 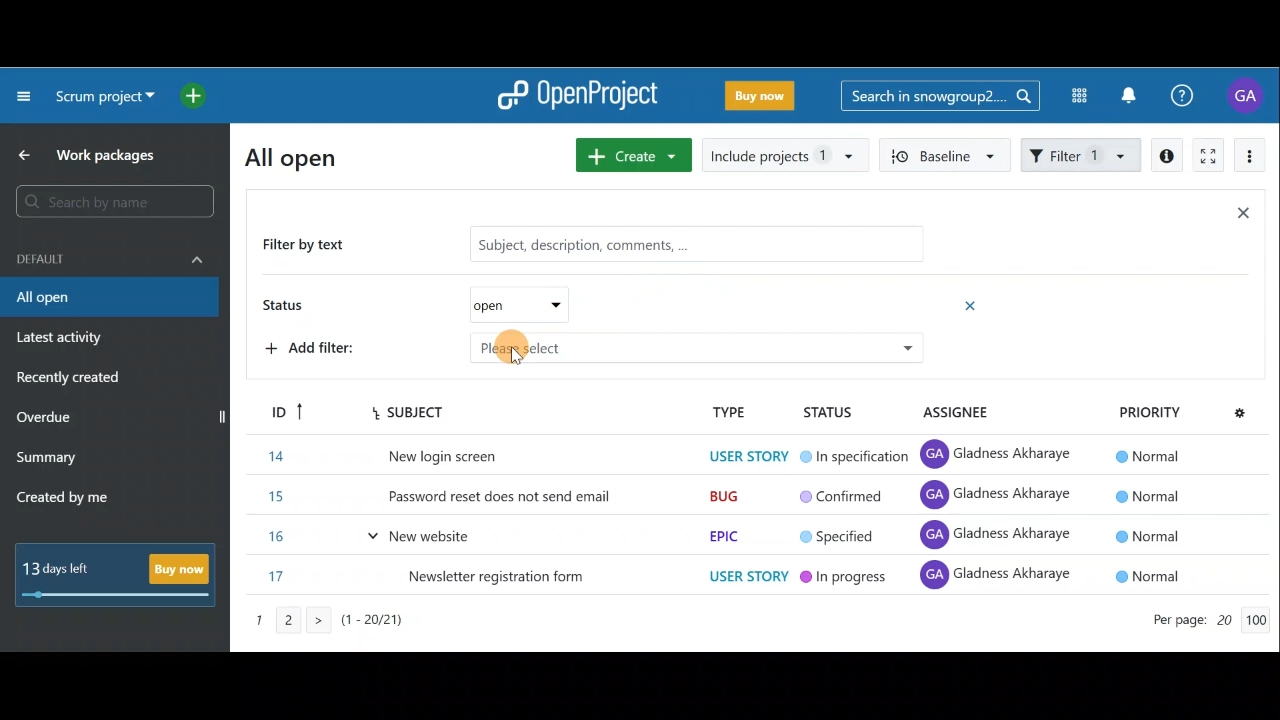 I want to click on Search bar, so click(x=113, y=205).